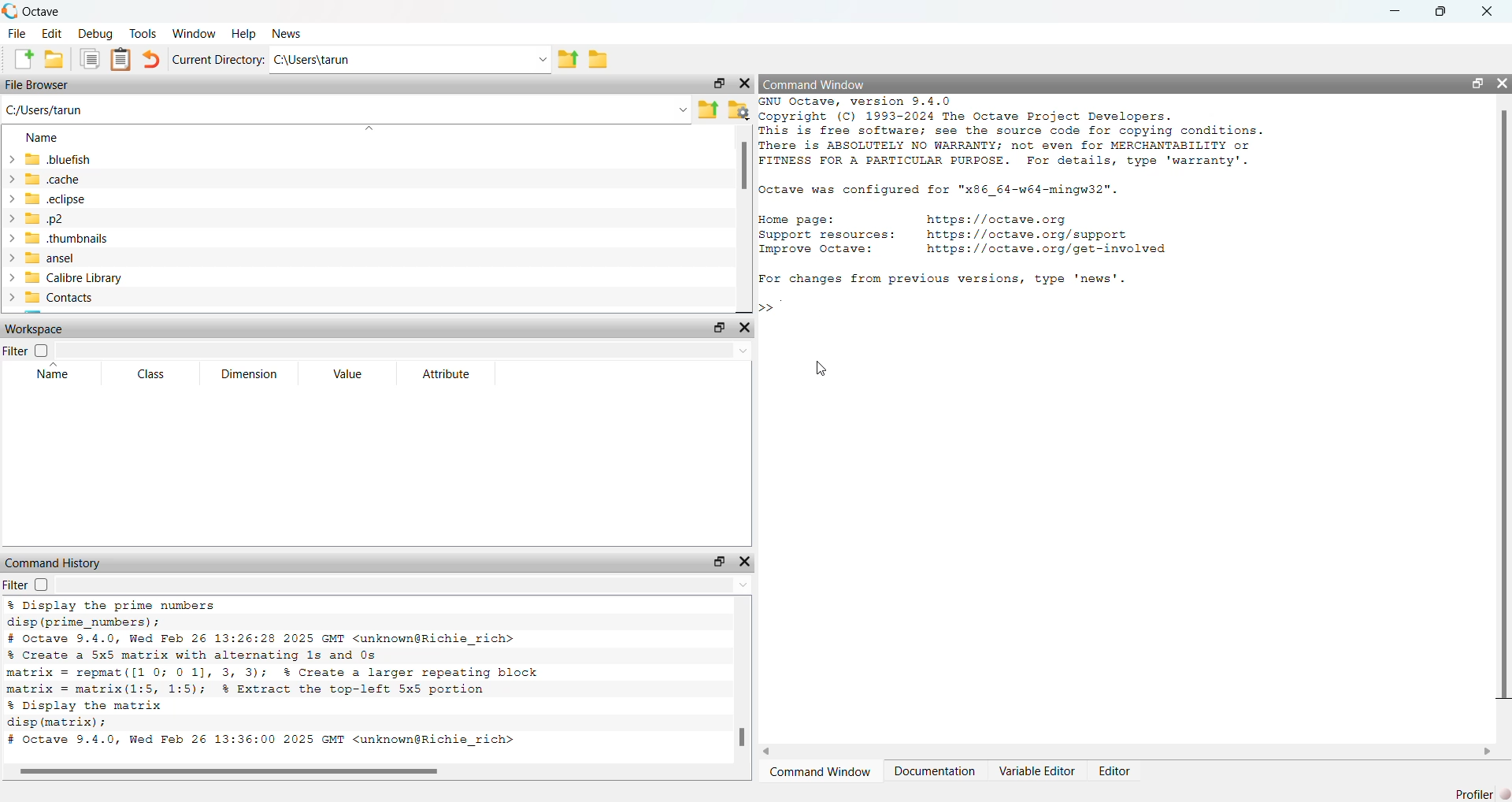  What do you see at coordinates (749, 561) in the screenshot?
I see `hide widget` at bounding box center [749, 561].